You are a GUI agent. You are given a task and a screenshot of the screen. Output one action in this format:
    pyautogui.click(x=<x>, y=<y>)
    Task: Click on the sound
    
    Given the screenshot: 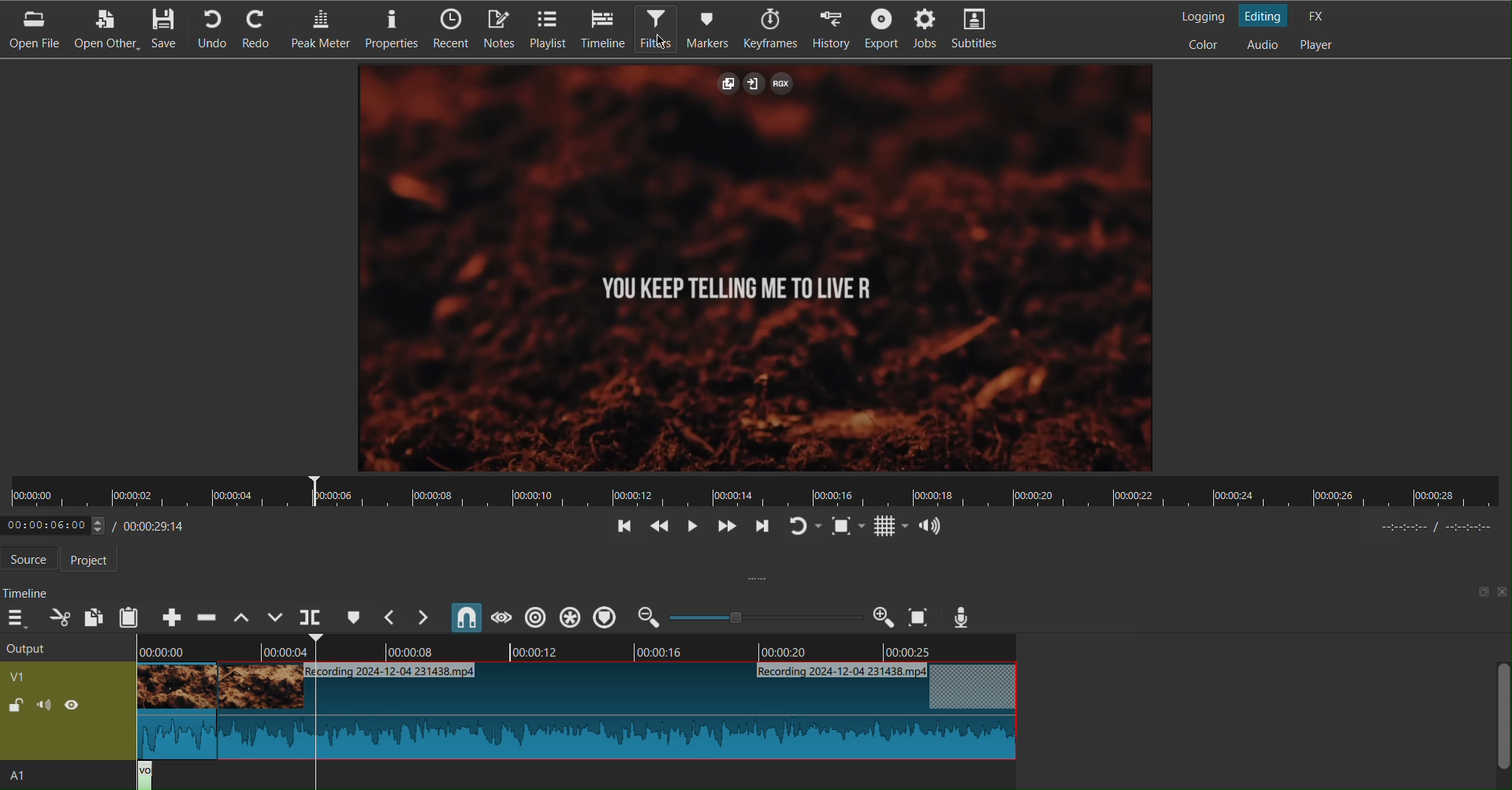 What is the action you would take?
    pyautogui.click(x=45, y=708)
    